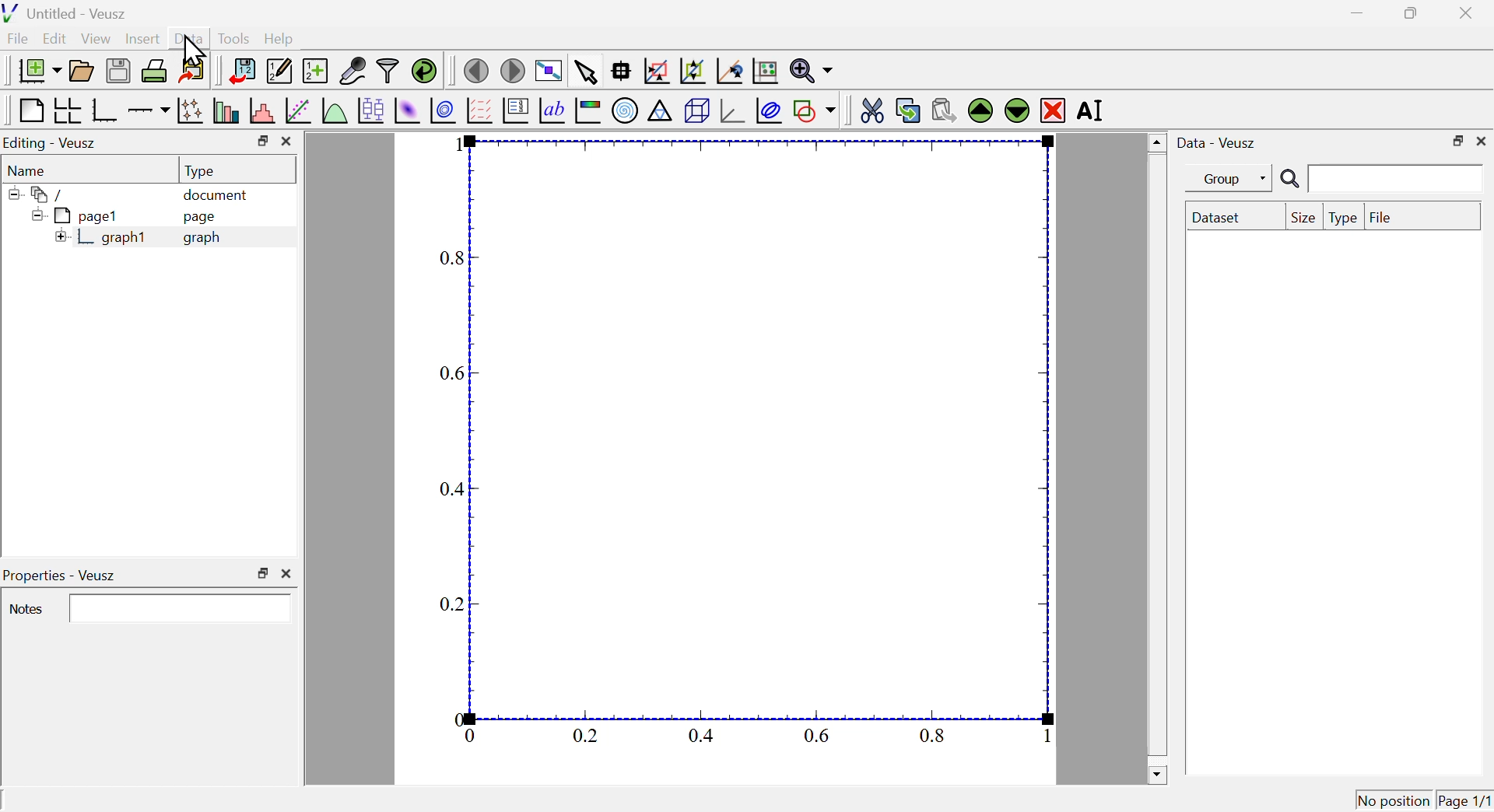  What do you see at coordinates (288, 142) in the screenshot?
I see `close` at bounding box center [288, 142].